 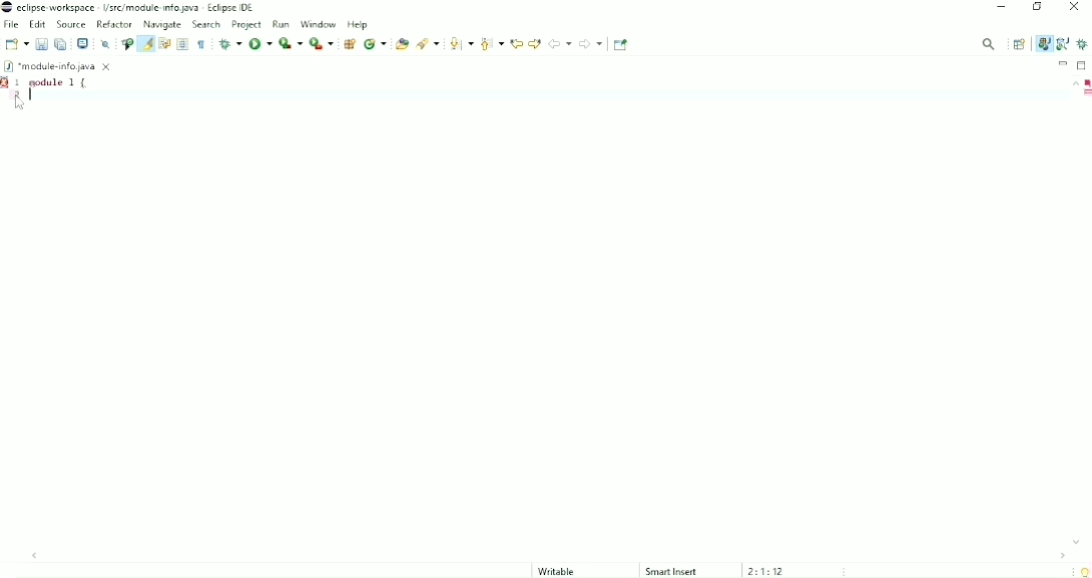 I want to click on Run last tool, so click(x=322, y=44).